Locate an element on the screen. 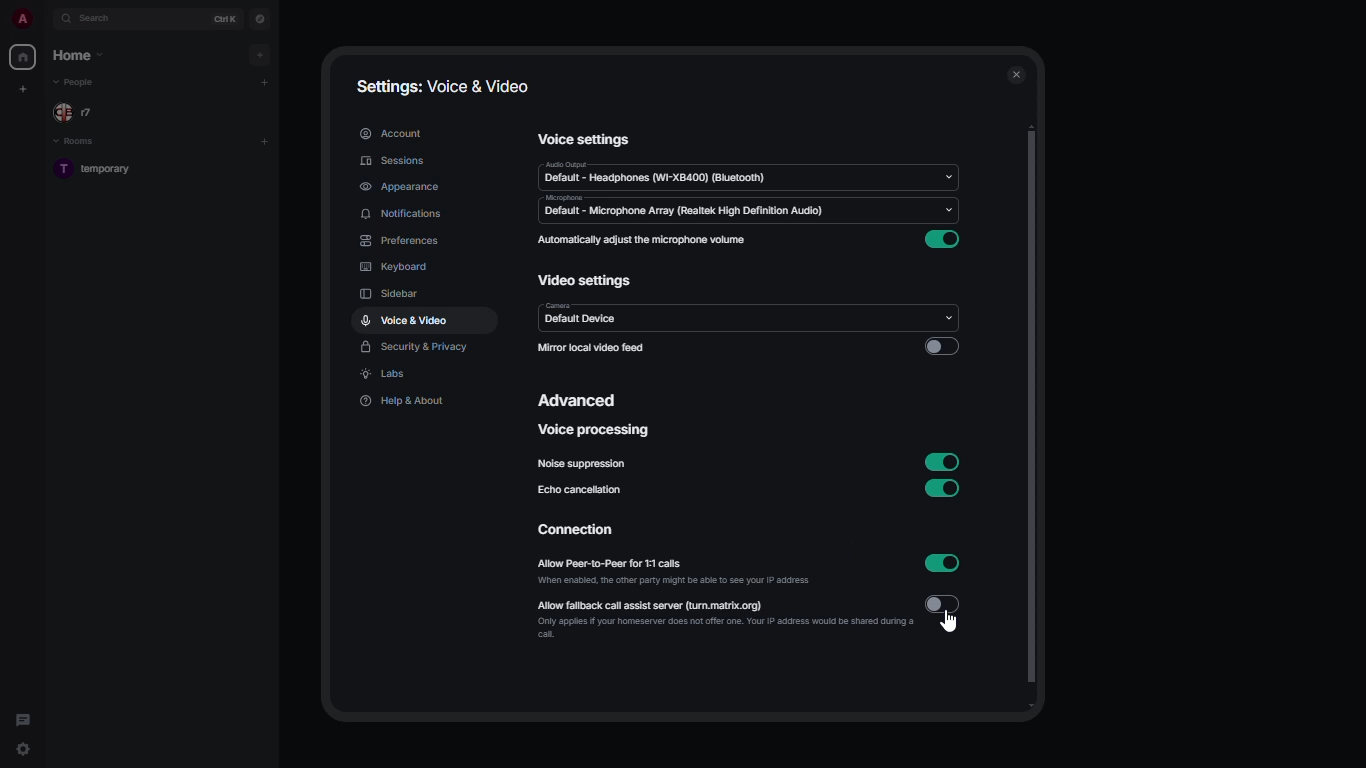 The height and width of the screenshot is (768, 1366). video settings is located at coordinates (587, 279).